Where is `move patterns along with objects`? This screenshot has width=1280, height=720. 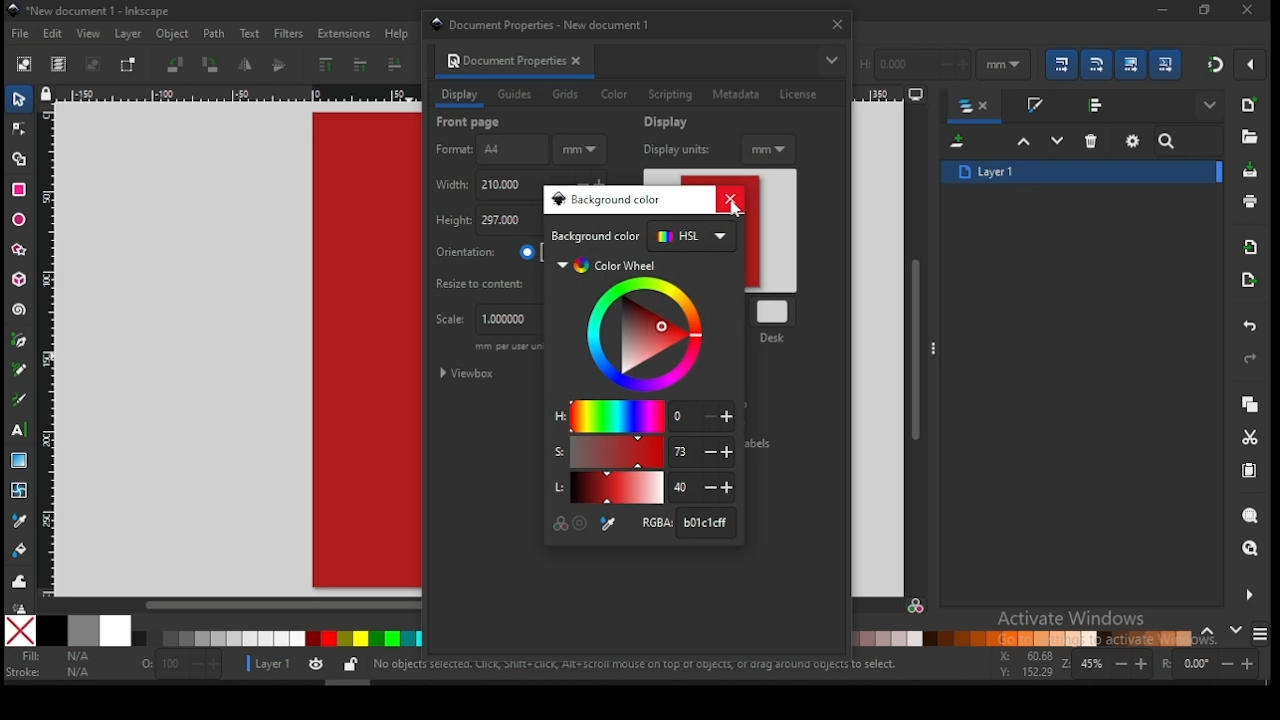 move patterns along with objects is located at coordinates (1165, 63).